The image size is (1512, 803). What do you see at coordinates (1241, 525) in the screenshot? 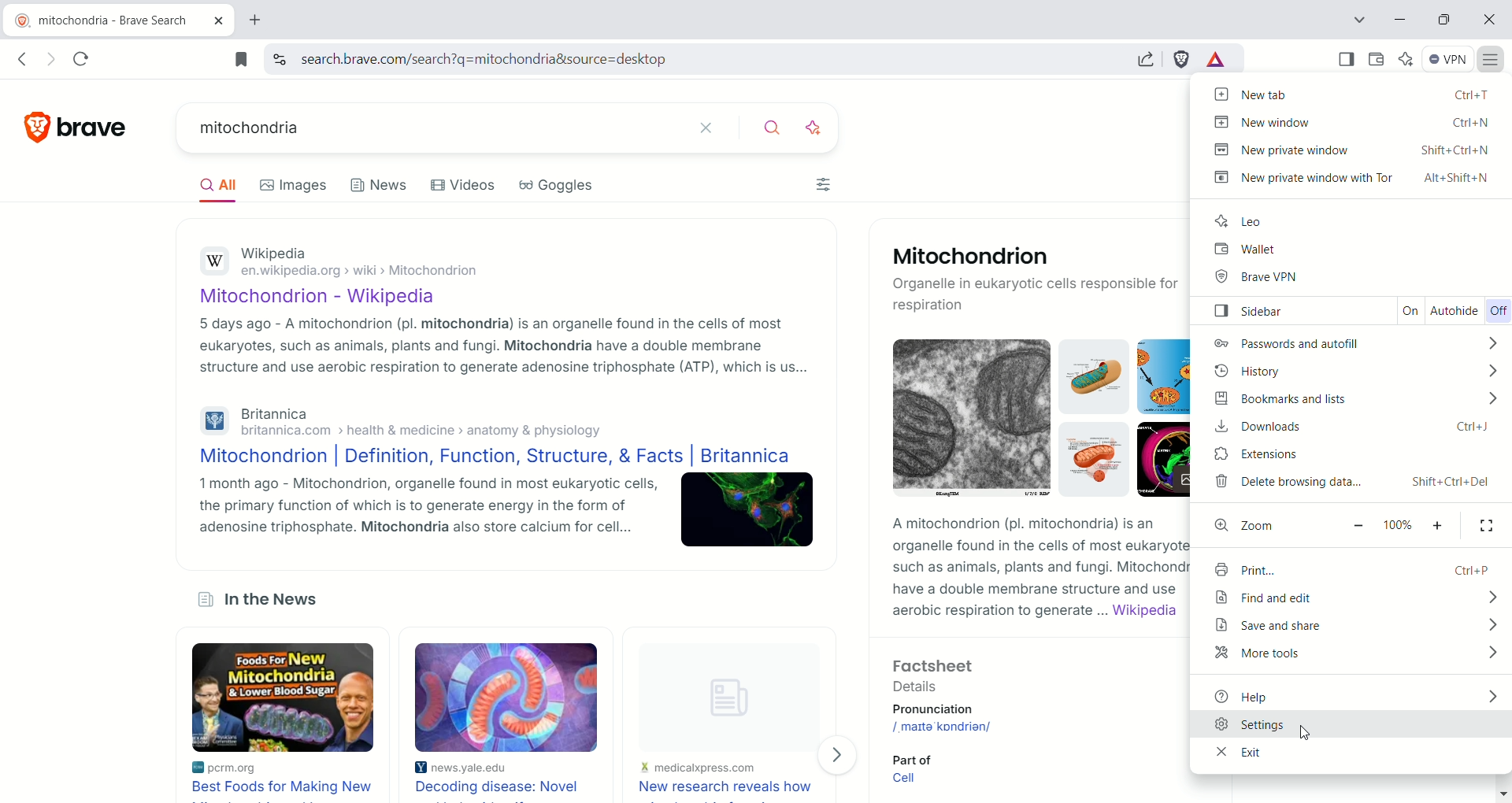
I see `zoom` at bounding box center [1241, 525].